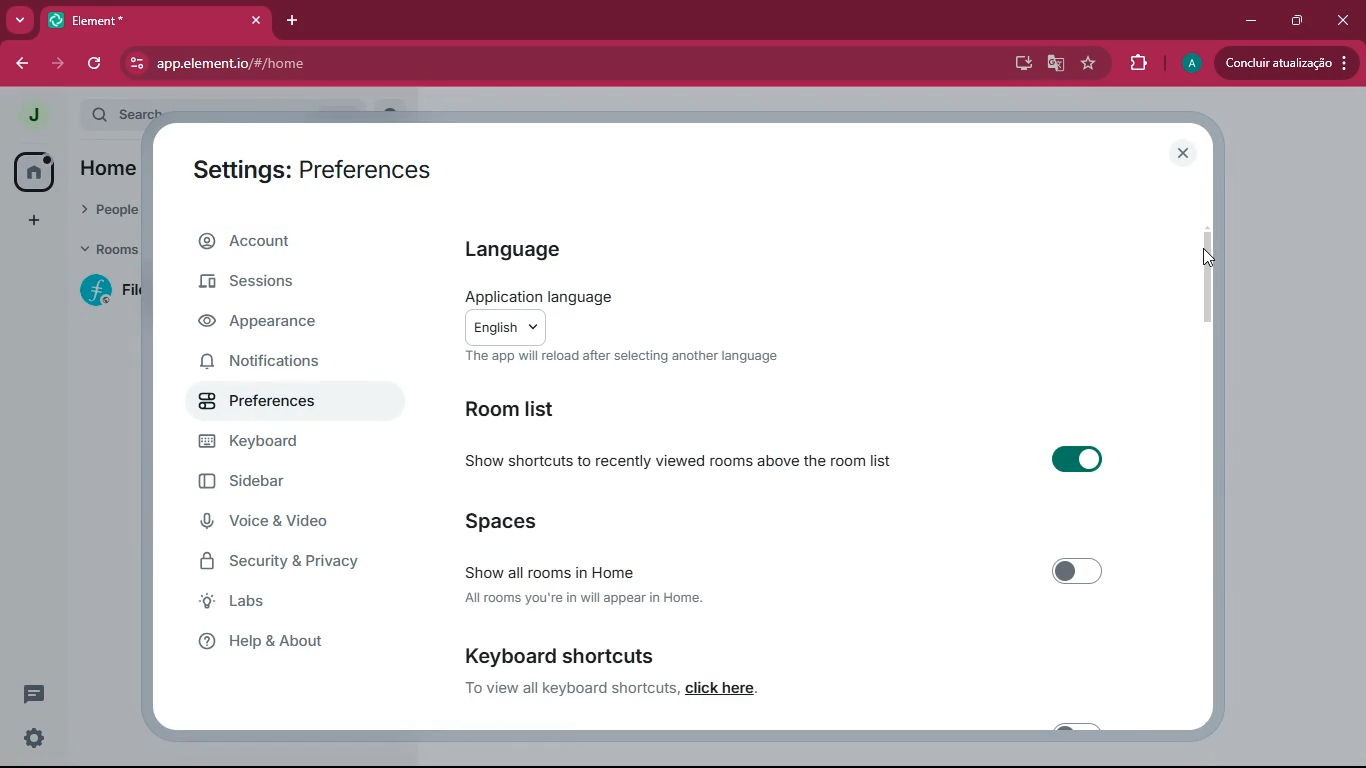 The height and width of the screenshot is (768, 1366). What do you see at coordinates (68, 117) in the screenshot?
I see `expand` at bounding box center [68, 117].